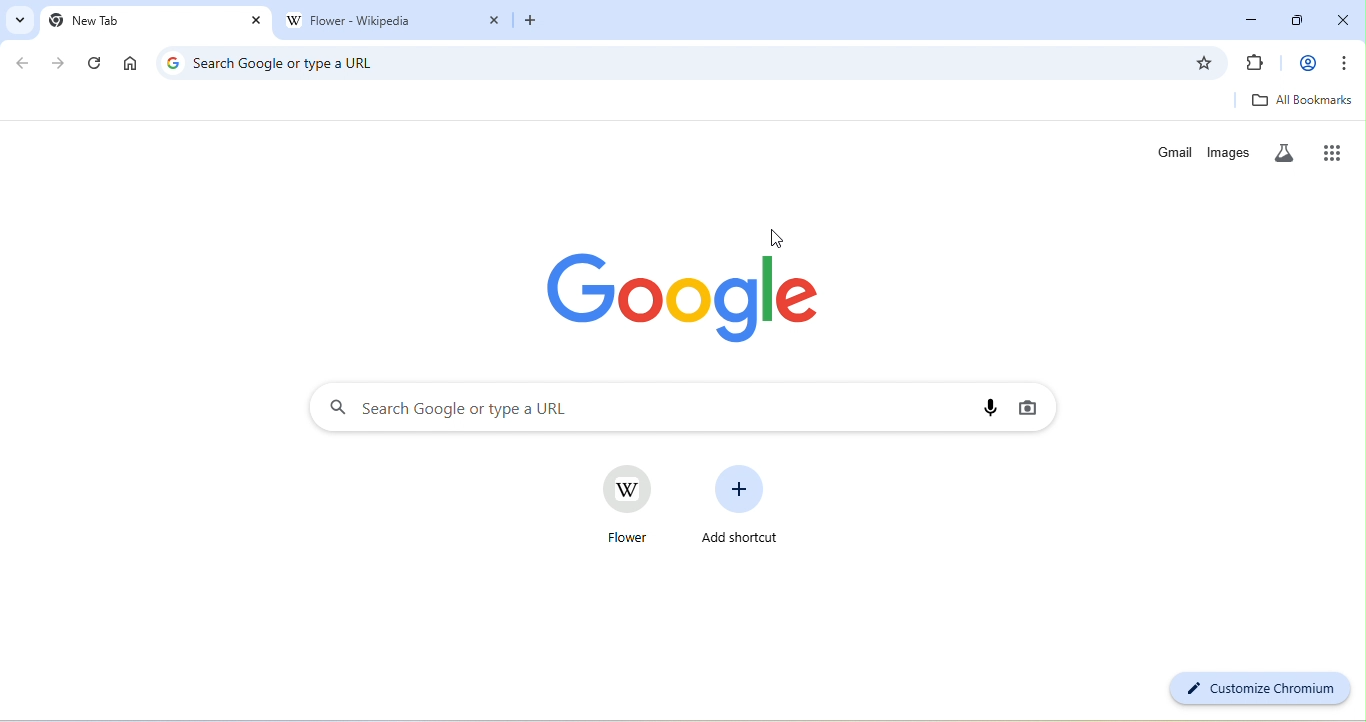 This screenshot has height=722, width=1366. I want to click on new tab: Flower - Wikipedia, so click(379, 22).